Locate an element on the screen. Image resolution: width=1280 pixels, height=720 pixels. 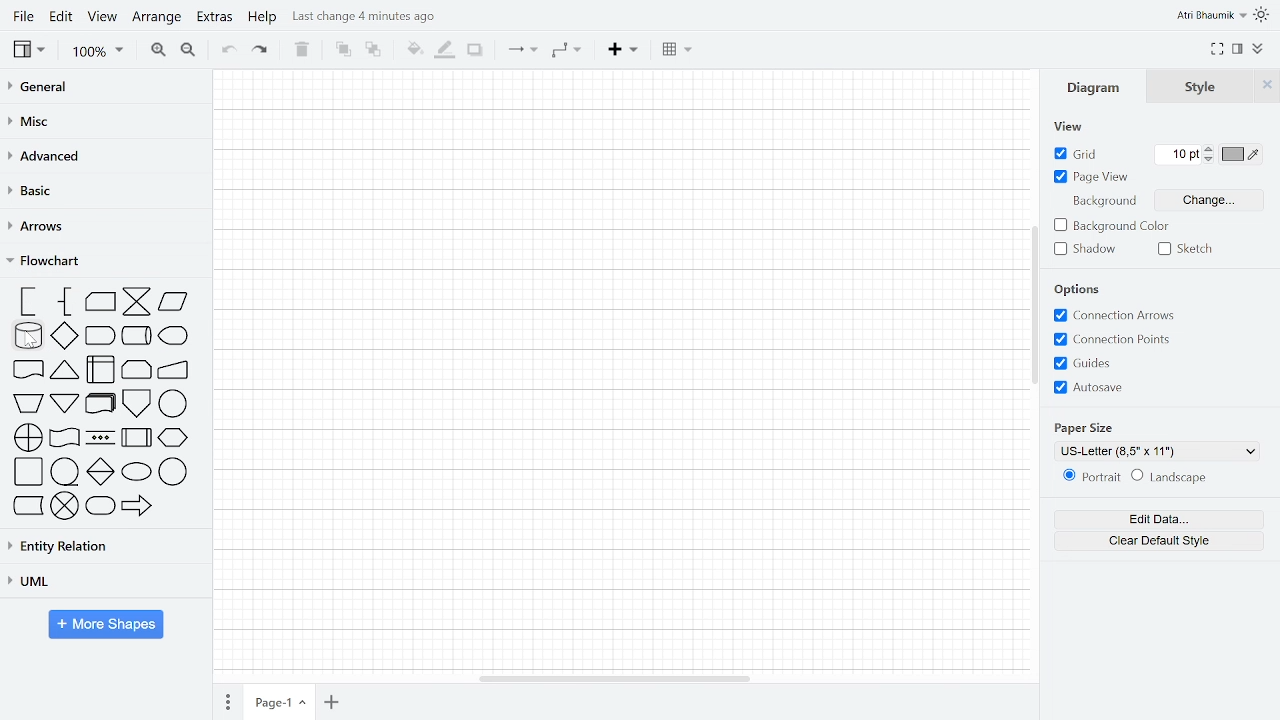
Format is located at coordinates (1240, 50).